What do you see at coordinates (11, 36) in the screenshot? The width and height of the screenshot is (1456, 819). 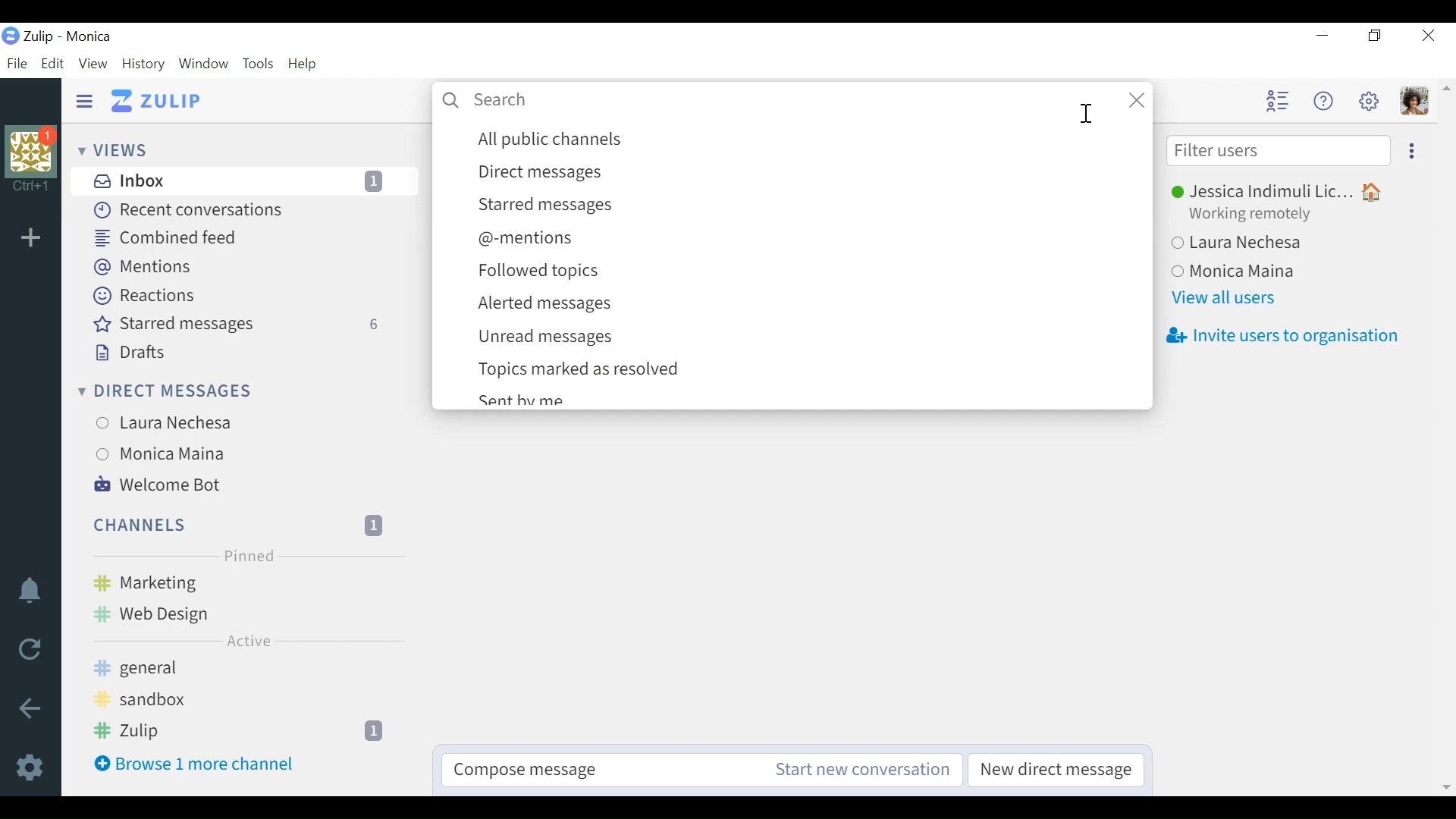 I see `organisation logo` at bounding box center [11, 36].